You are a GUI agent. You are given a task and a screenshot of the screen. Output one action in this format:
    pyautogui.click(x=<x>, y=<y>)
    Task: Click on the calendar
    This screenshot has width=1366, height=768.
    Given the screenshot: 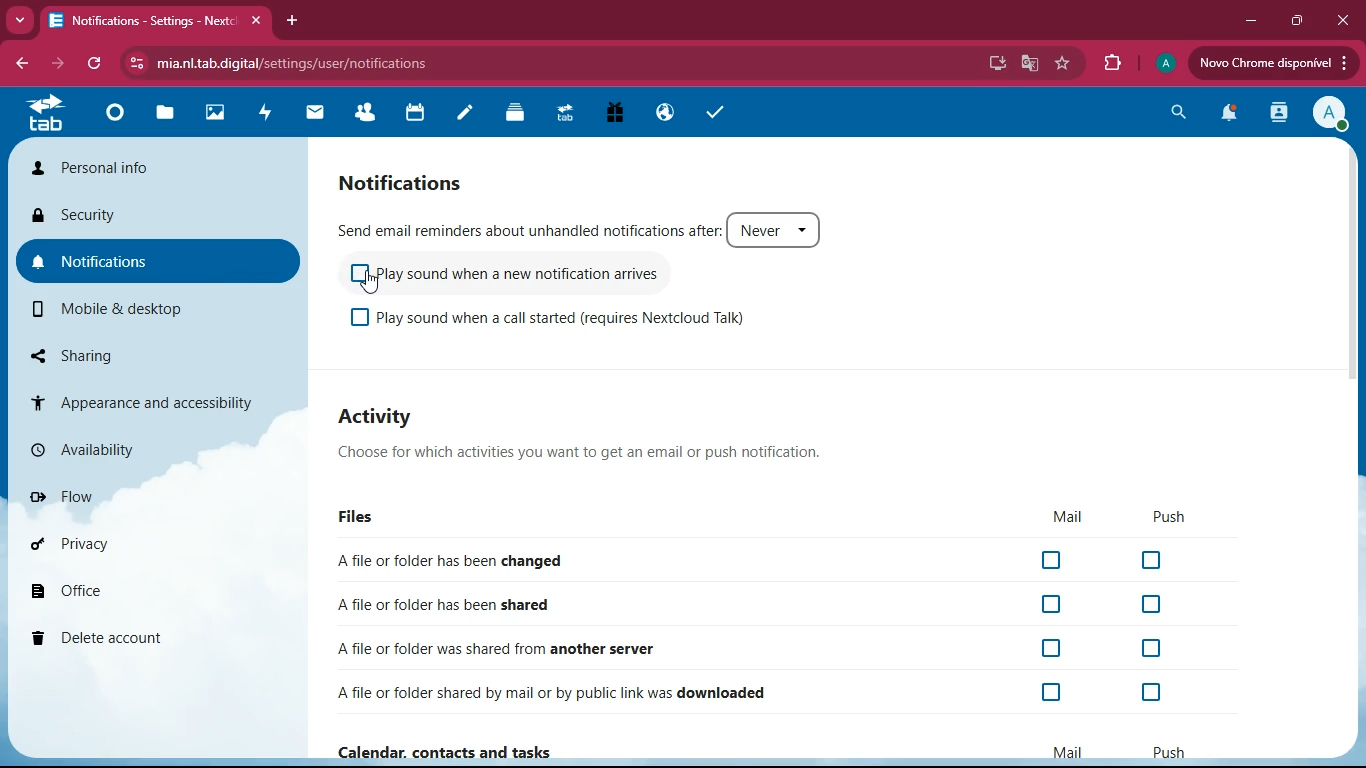 What is the action you would take?
    pyautogui.click(x=422, y=115)
    